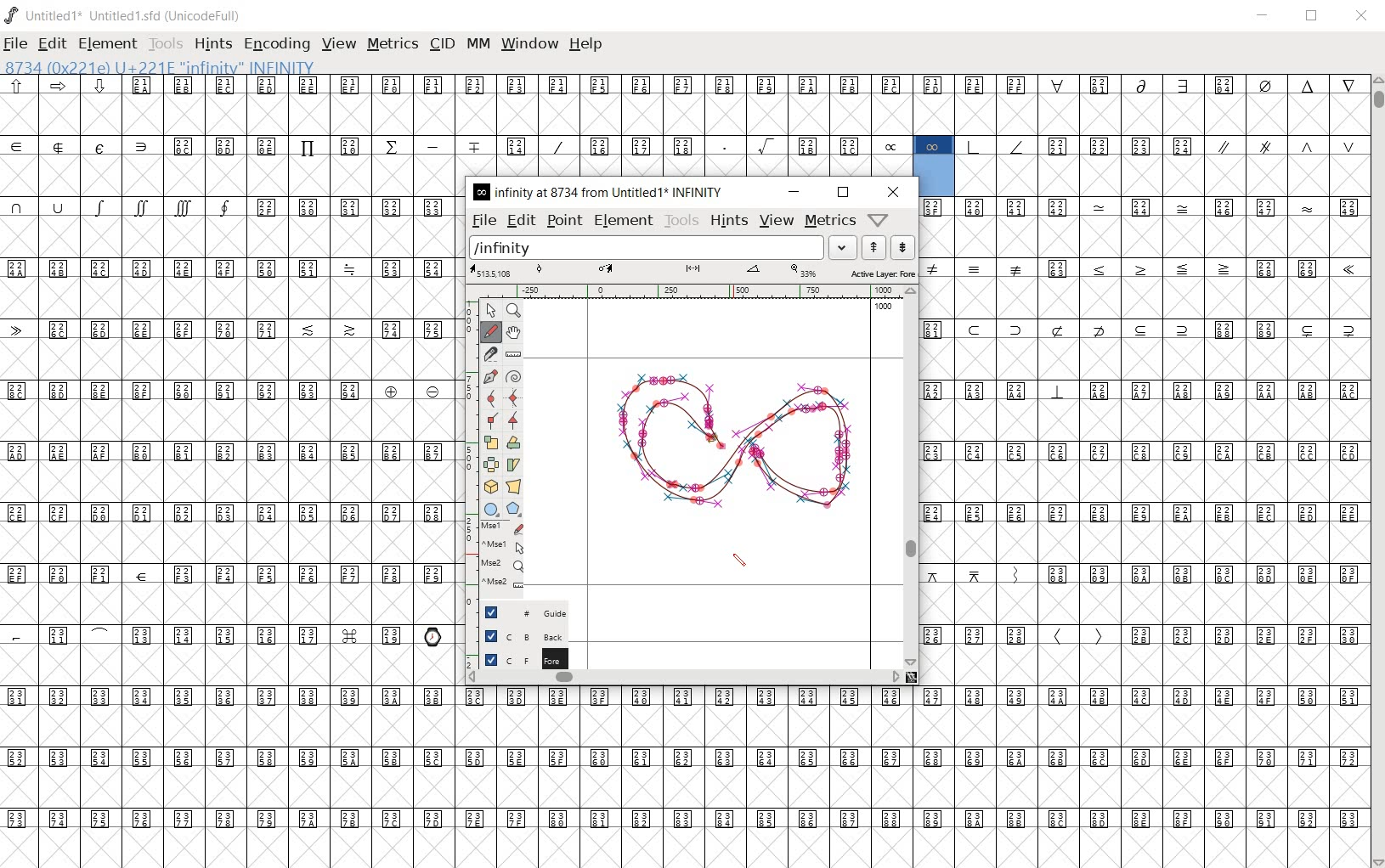  I want to click on restore down, so click(1314, 18).